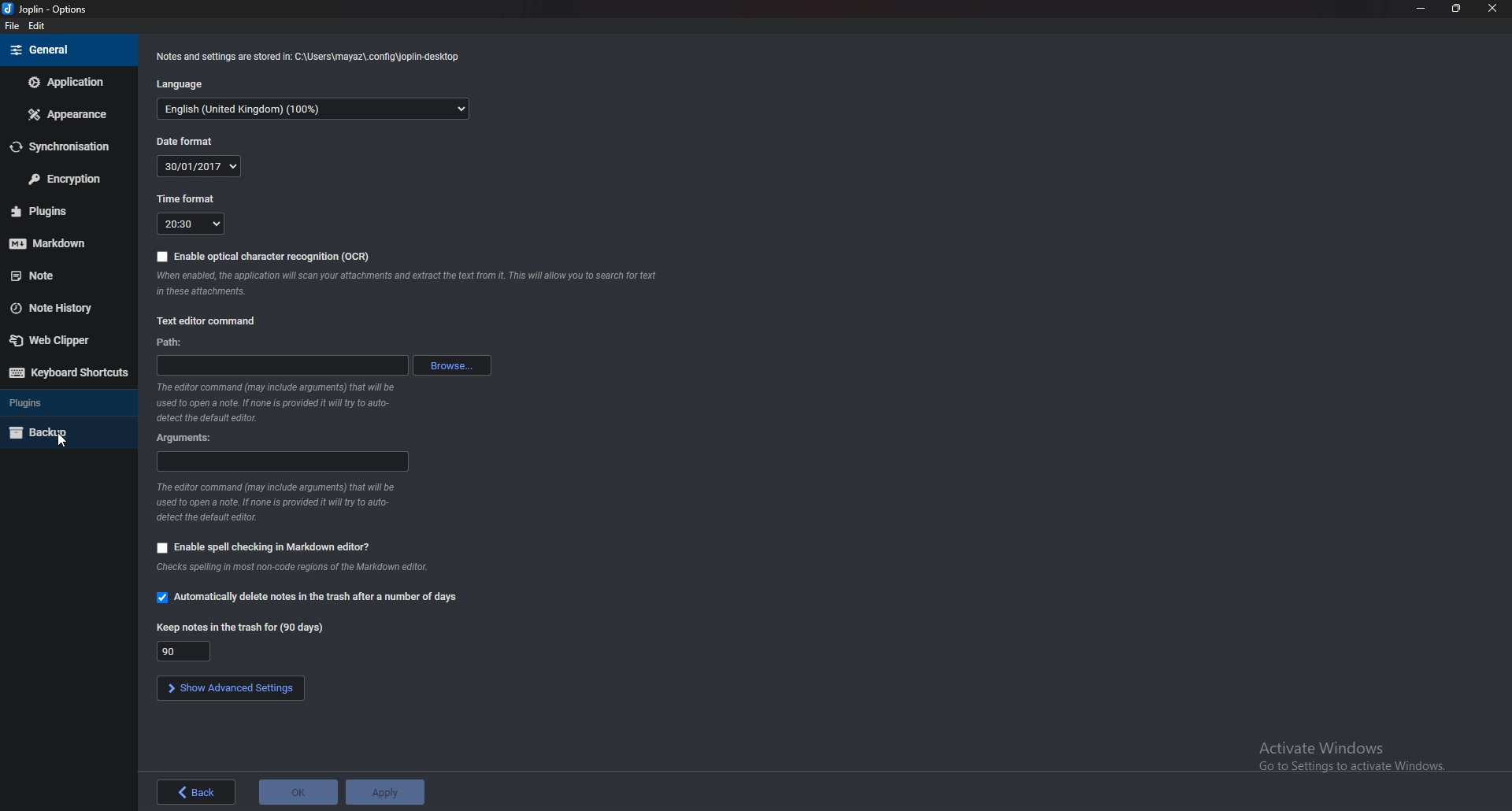 The image size is (1512, 811). Describe the element at coordinates (180, 143) in the screenshot. I see `Date format` at that location.